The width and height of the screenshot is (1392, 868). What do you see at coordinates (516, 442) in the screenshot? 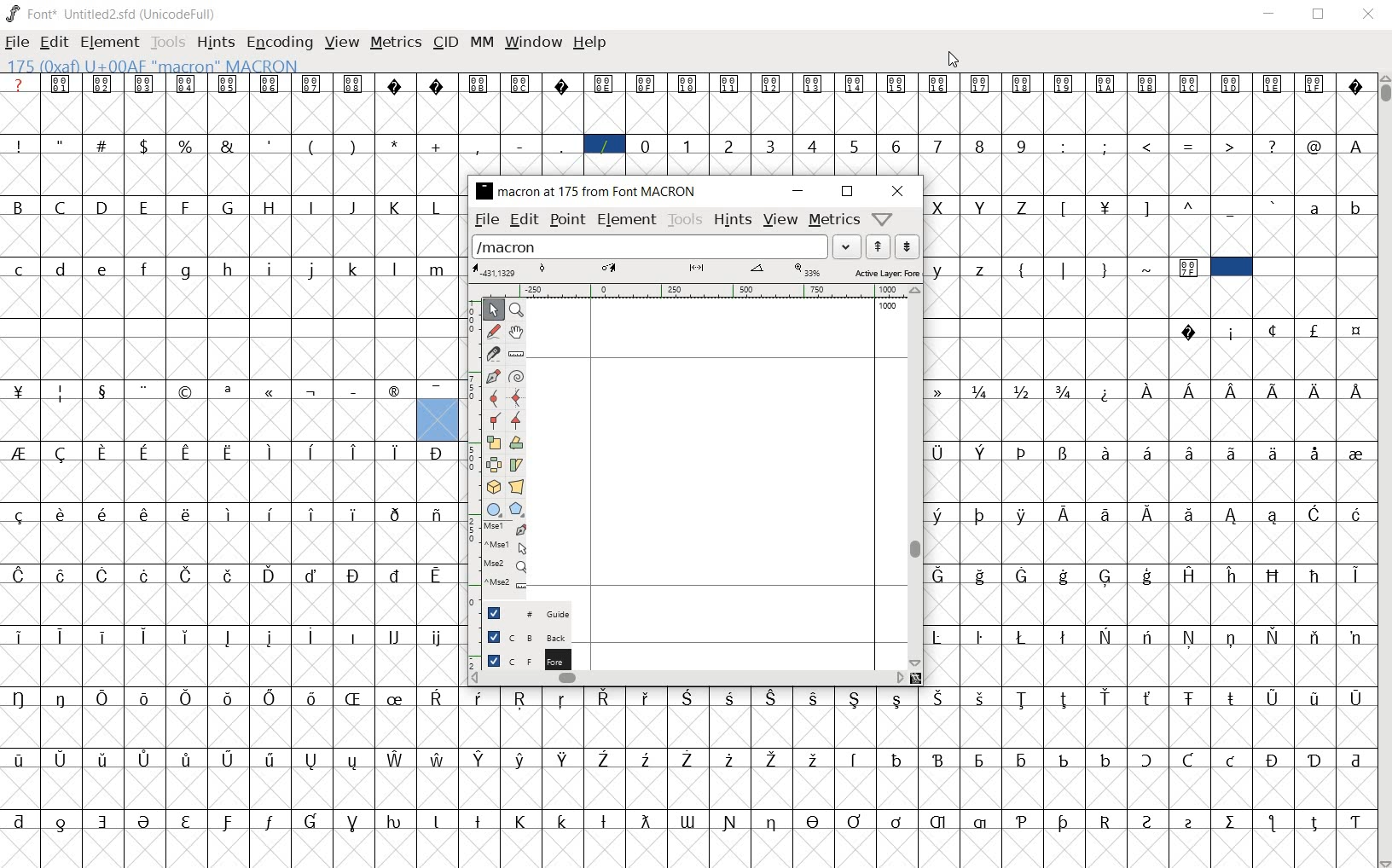
I see `rotate` at bounding box center [516, 442].